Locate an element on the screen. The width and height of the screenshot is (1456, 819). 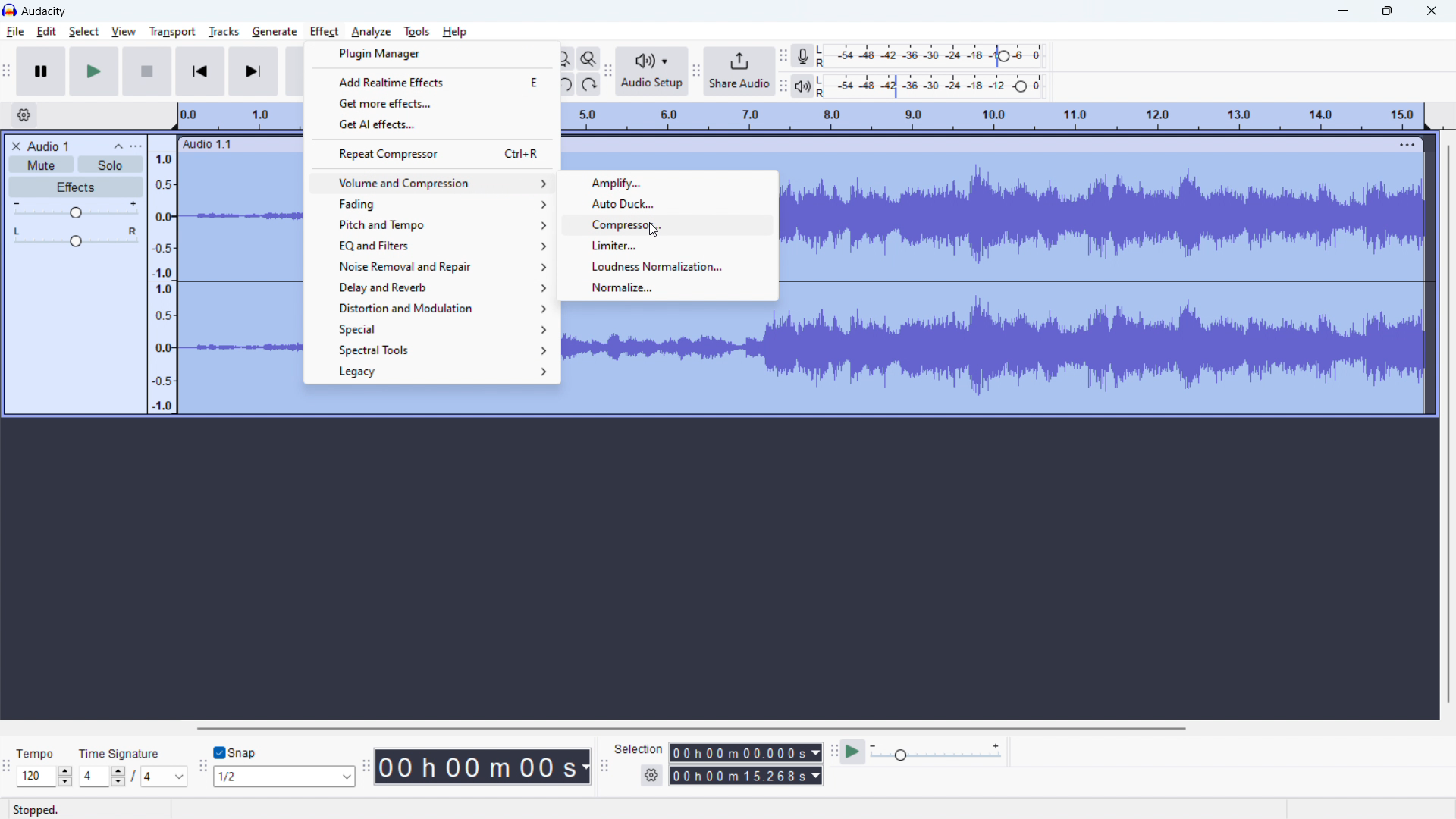
play is located at coordinates (94, 71).